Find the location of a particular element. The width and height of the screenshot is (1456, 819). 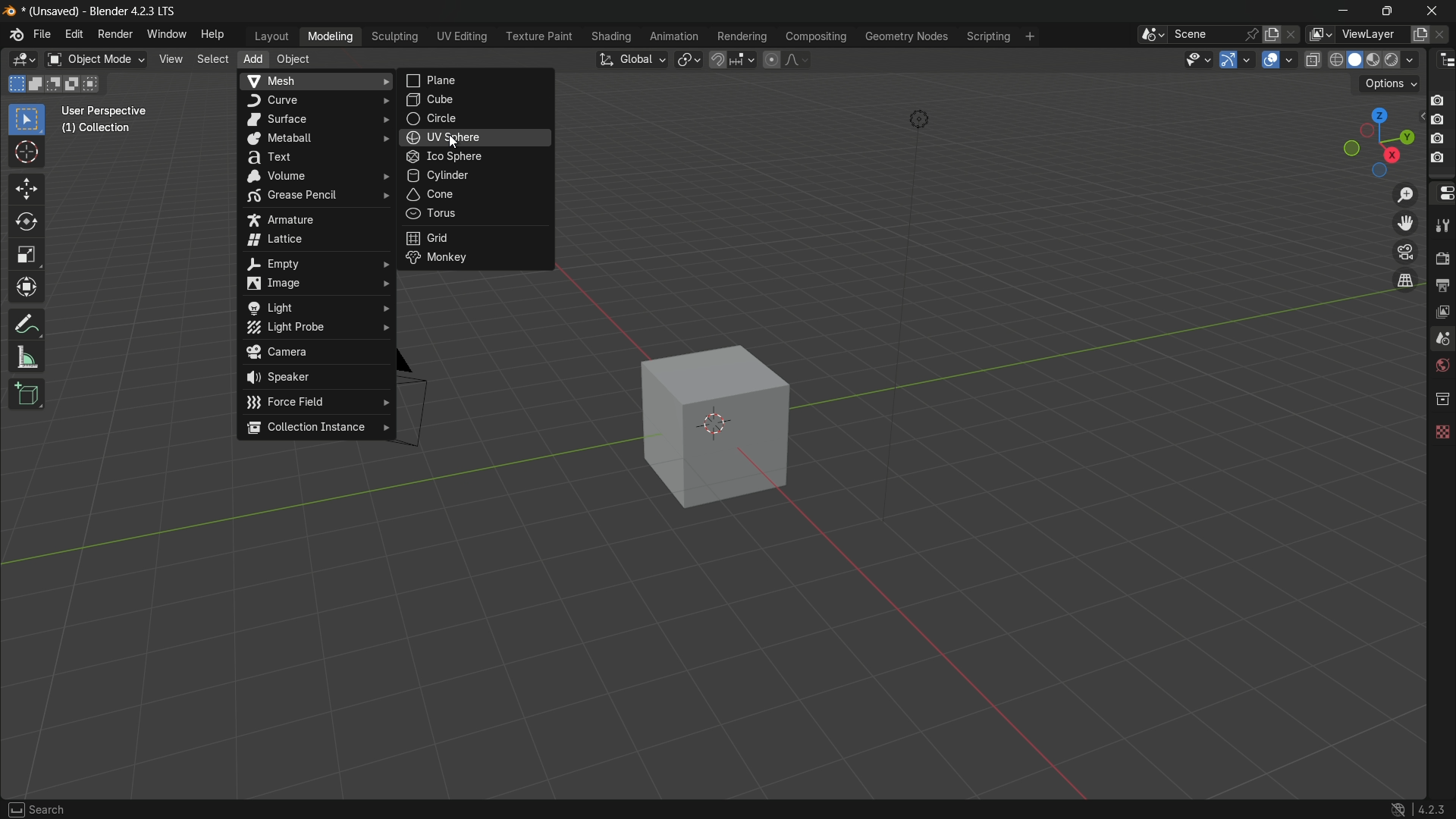

geometry nodes menu is located at coordinates (907, 36).